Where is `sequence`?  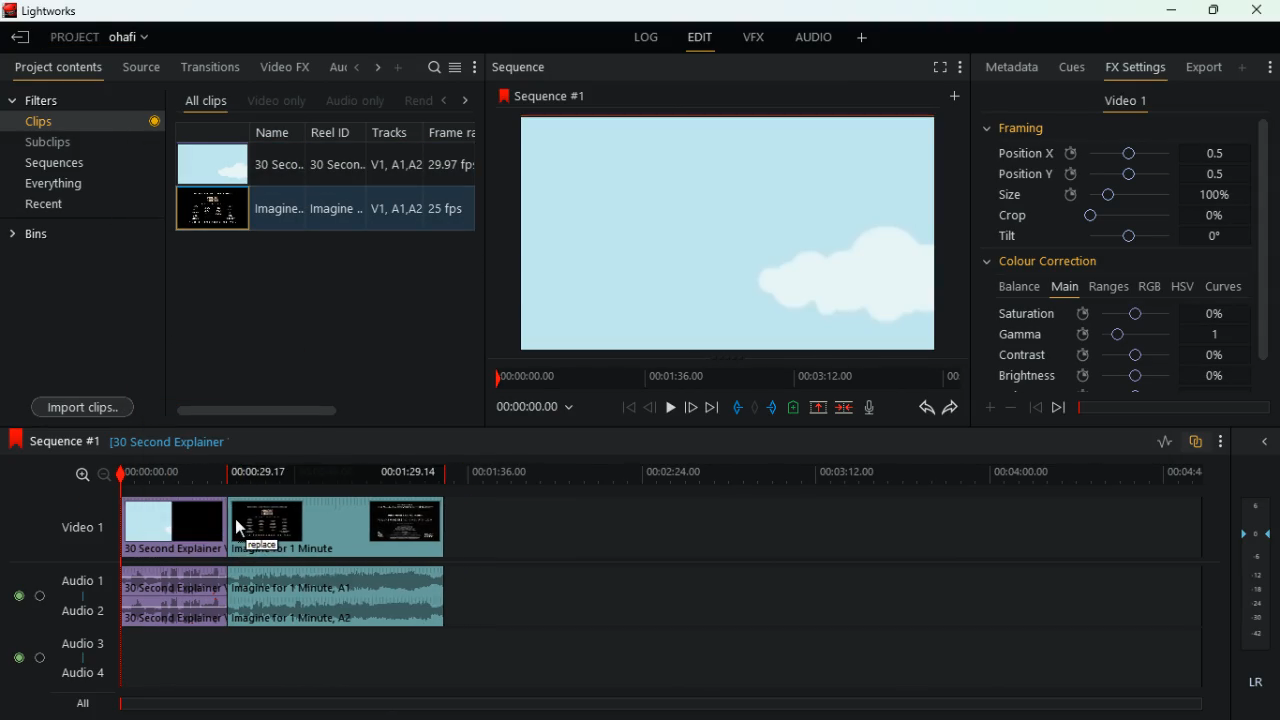
sequence is located at coordinates (521, 67).